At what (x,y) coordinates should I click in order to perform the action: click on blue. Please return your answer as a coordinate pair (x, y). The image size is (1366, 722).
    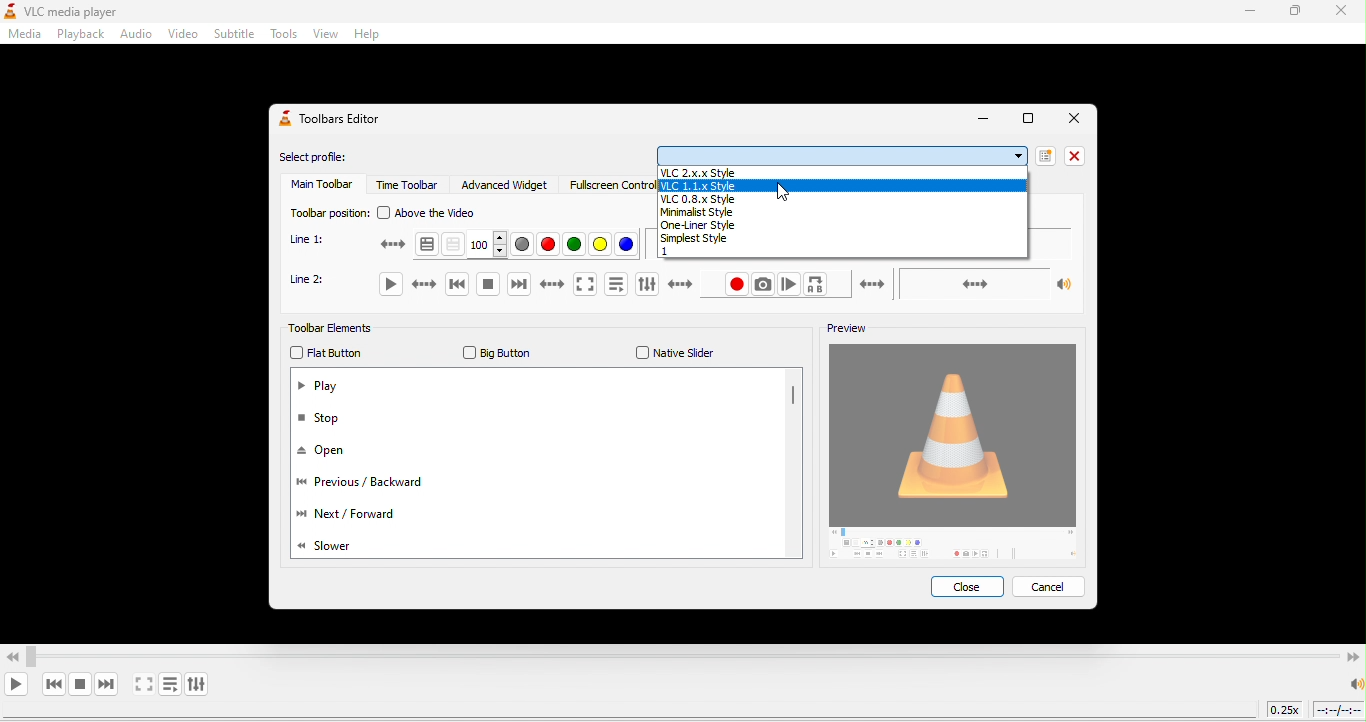
    Looking at the image, I should click on (629, 243).